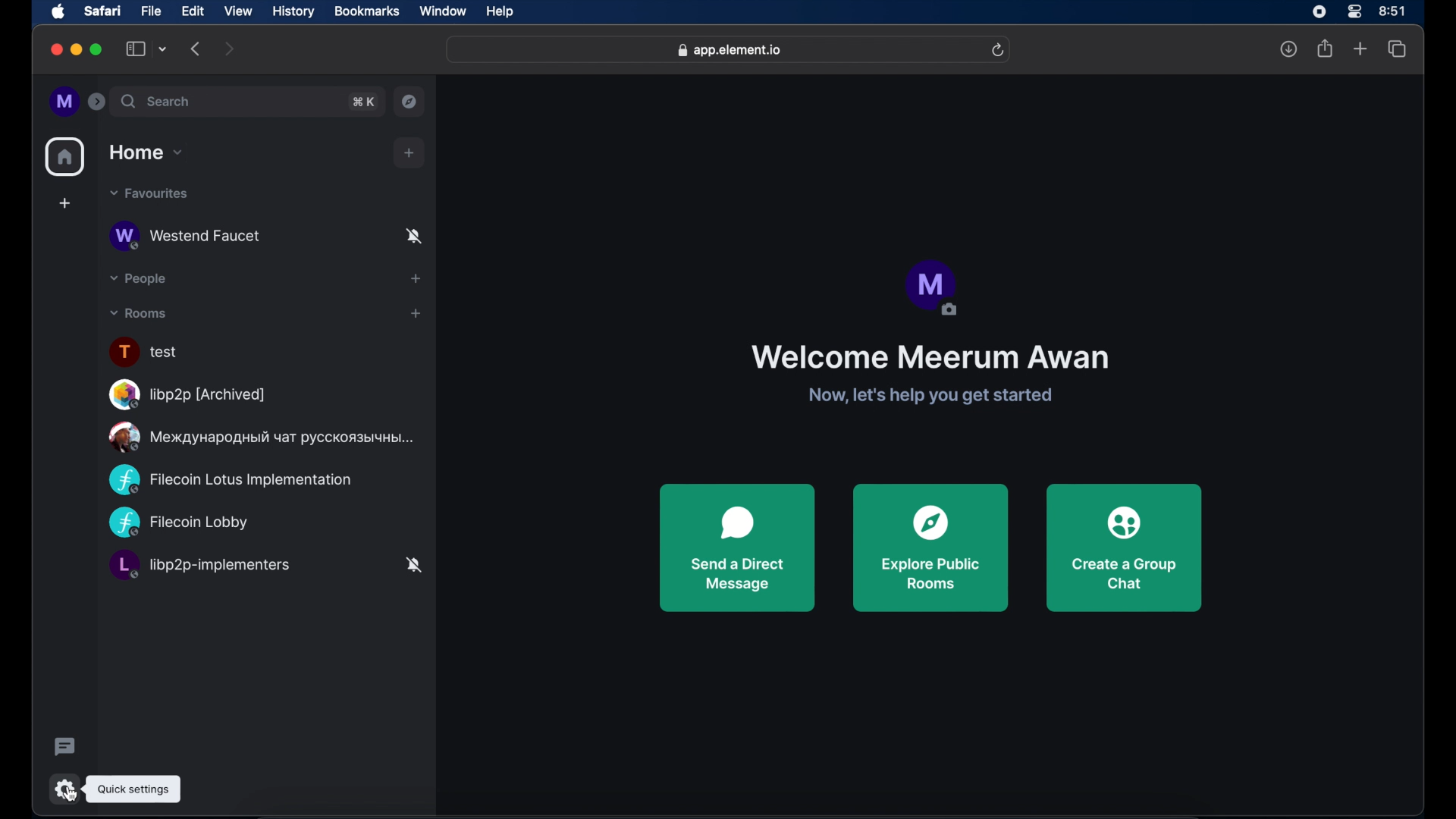  I want to click on maximize, so click(97, 49).